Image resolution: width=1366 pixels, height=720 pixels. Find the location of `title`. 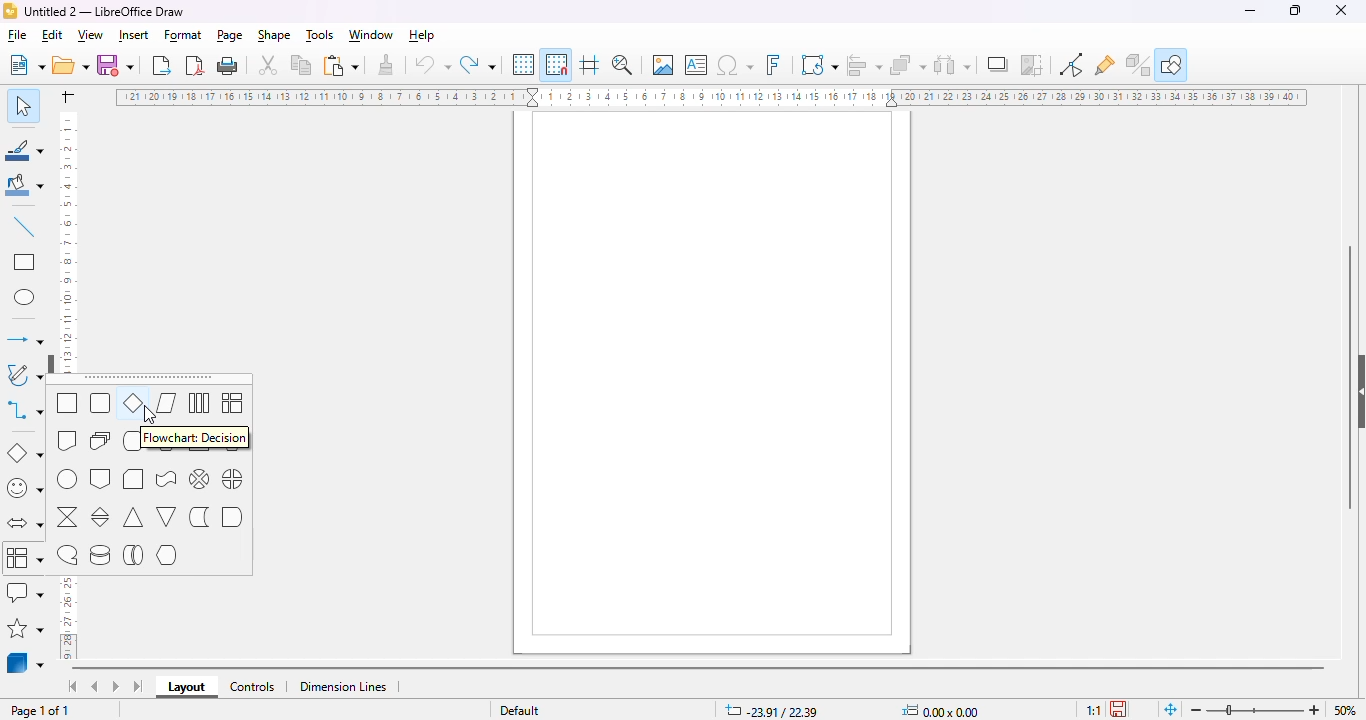

title is located at coordinates (106, 11).